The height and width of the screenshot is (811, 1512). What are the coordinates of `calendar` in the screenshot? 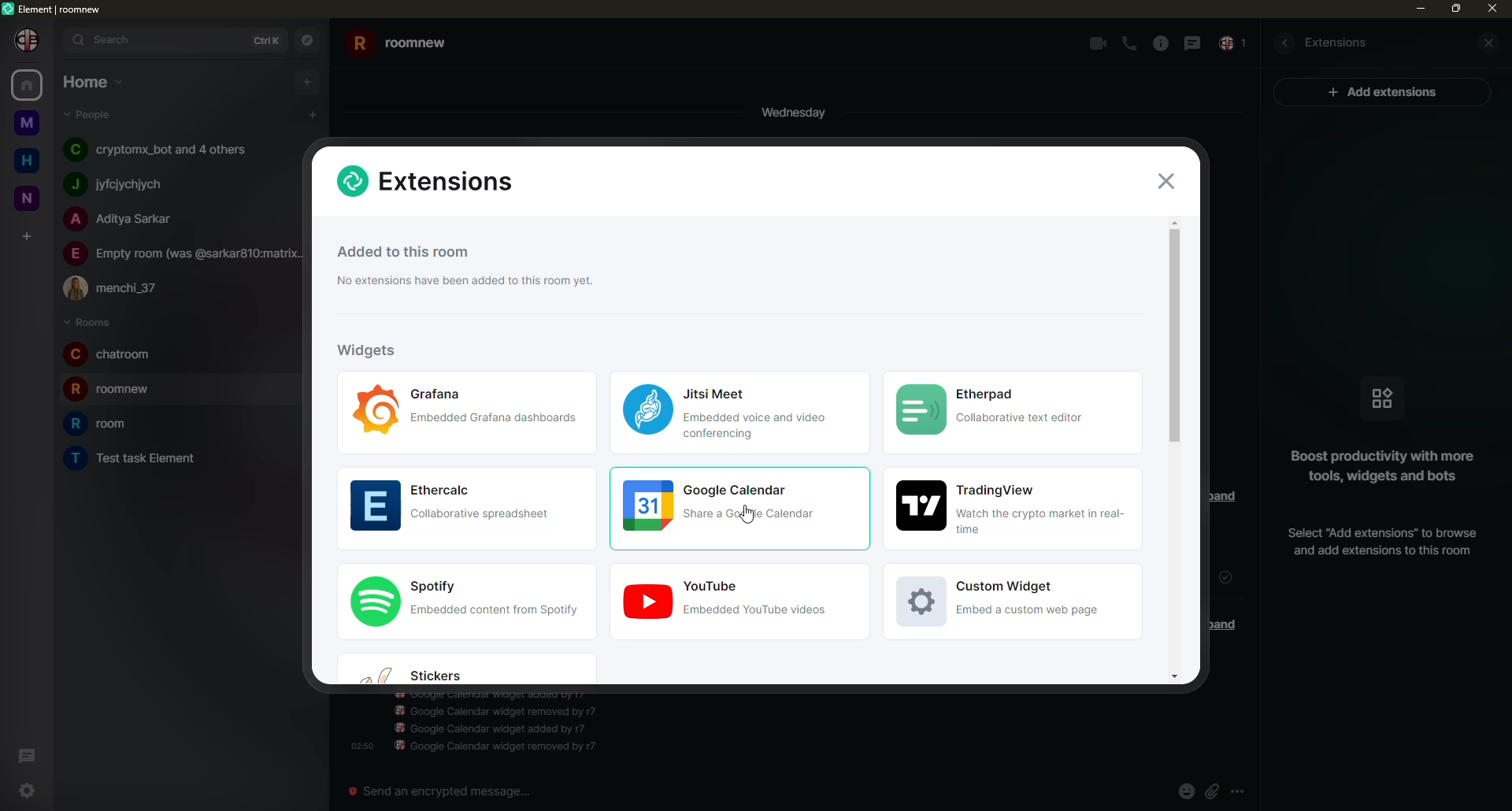 It's located at (721, 509).